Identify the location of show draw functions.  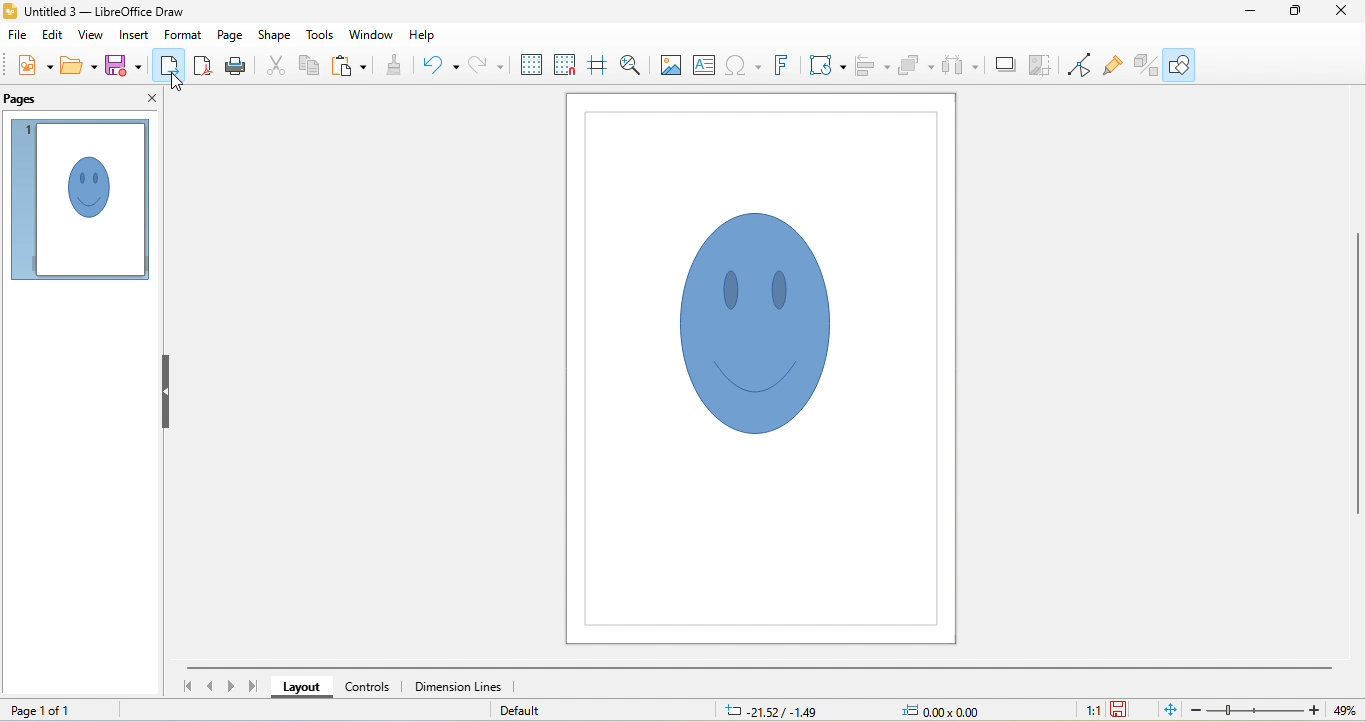
(1180, 64).